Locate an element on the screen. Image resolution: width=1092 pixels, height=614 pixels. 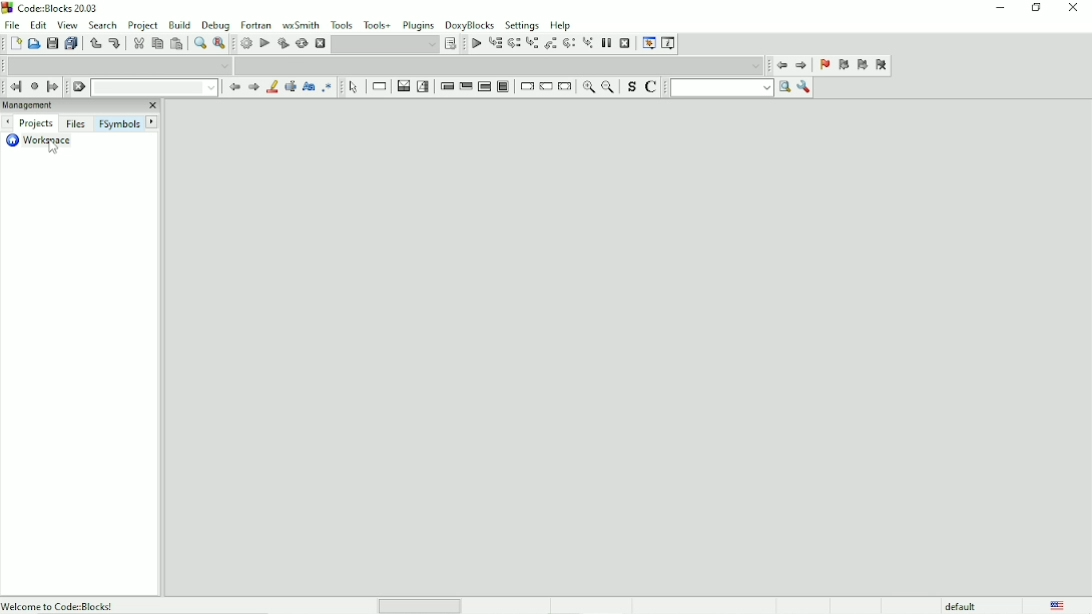
Workspace is located at coordinates (45, 143).